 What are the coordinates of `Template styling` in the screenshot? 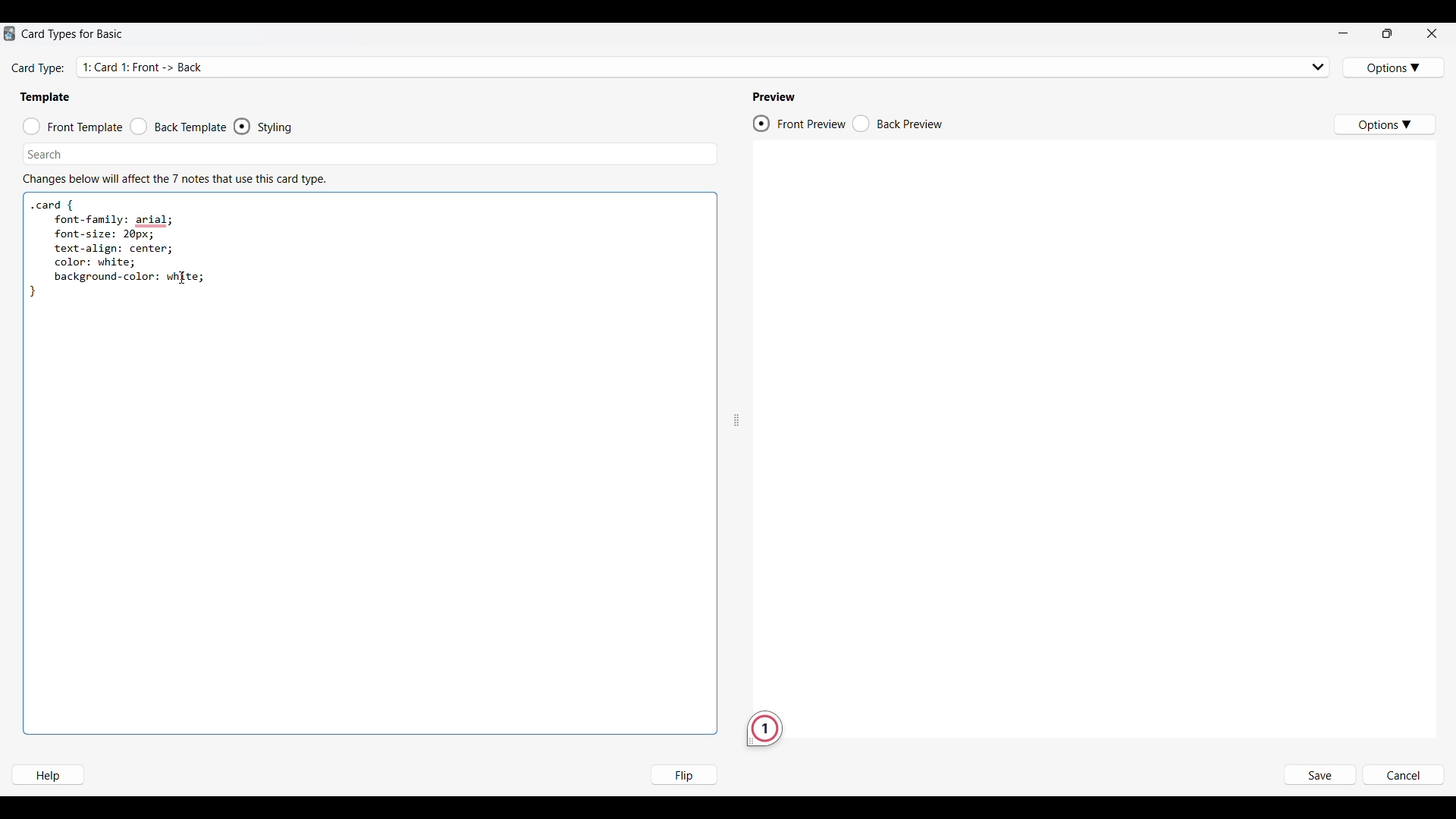 It's located at (278, 127).